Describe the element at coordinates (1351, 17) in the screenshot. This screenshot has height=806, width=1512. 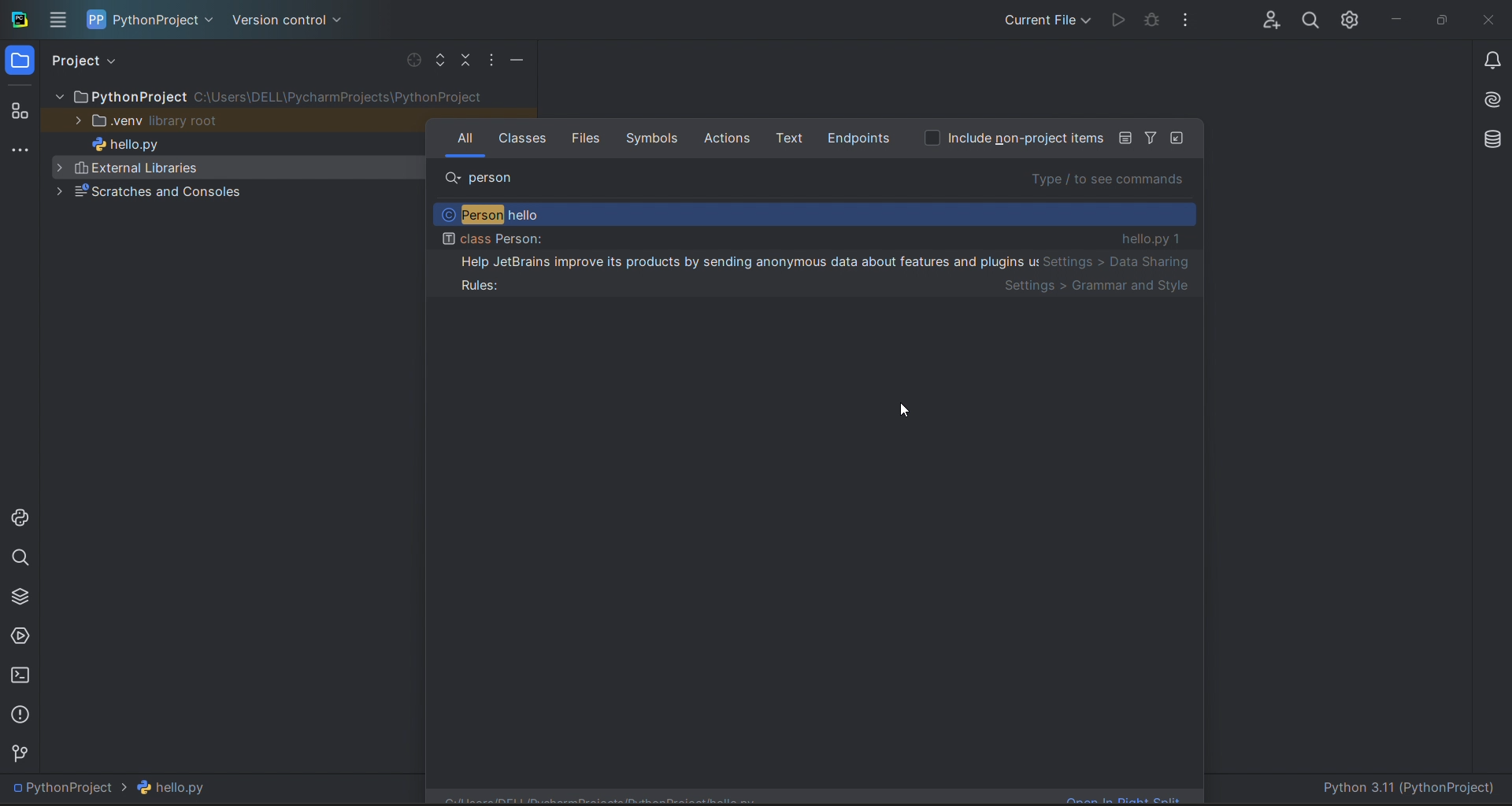
I see `settings` at that location.